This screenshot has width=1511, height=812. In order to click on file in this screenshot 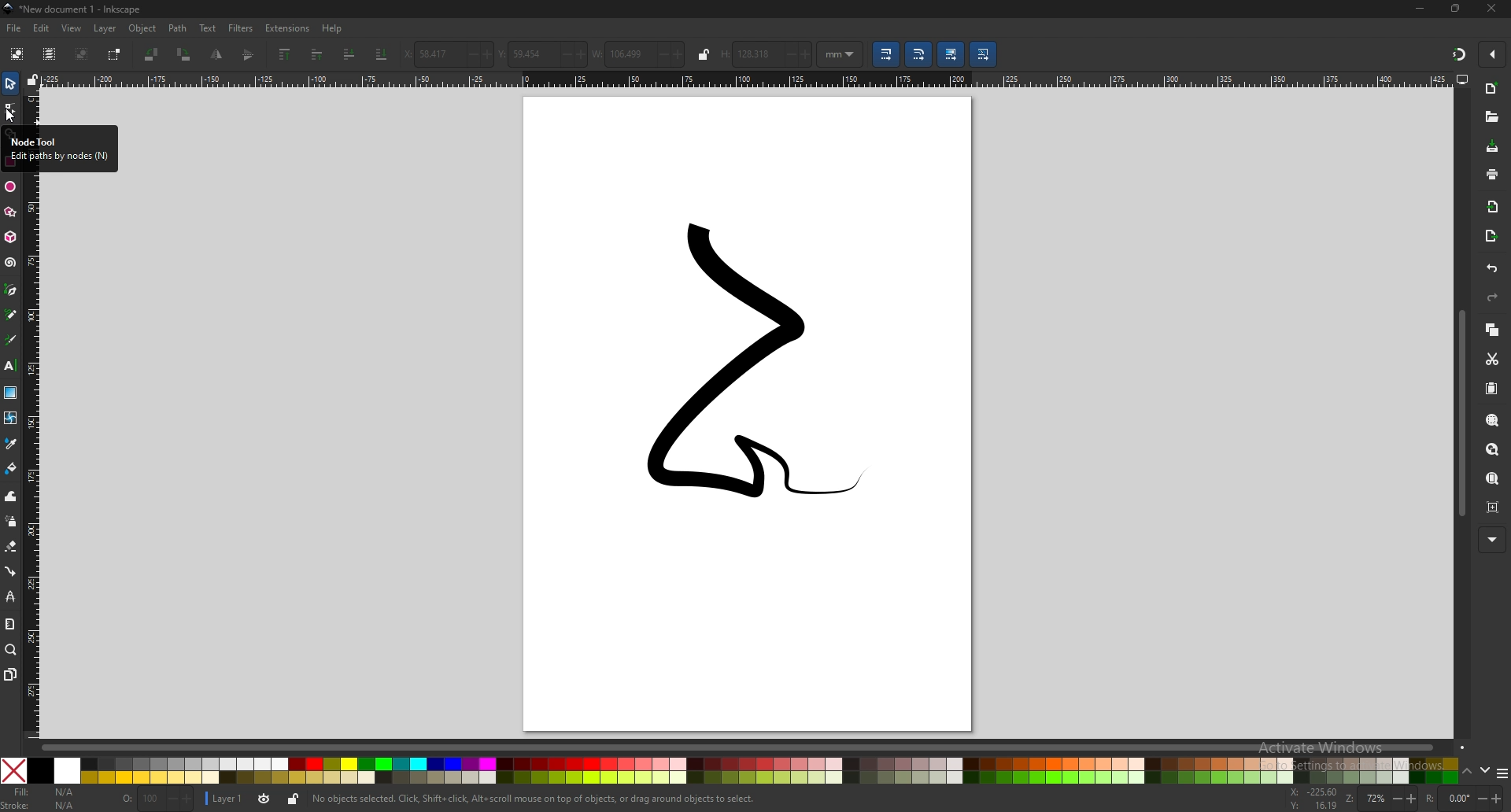, I will do `click(16, 28)`.